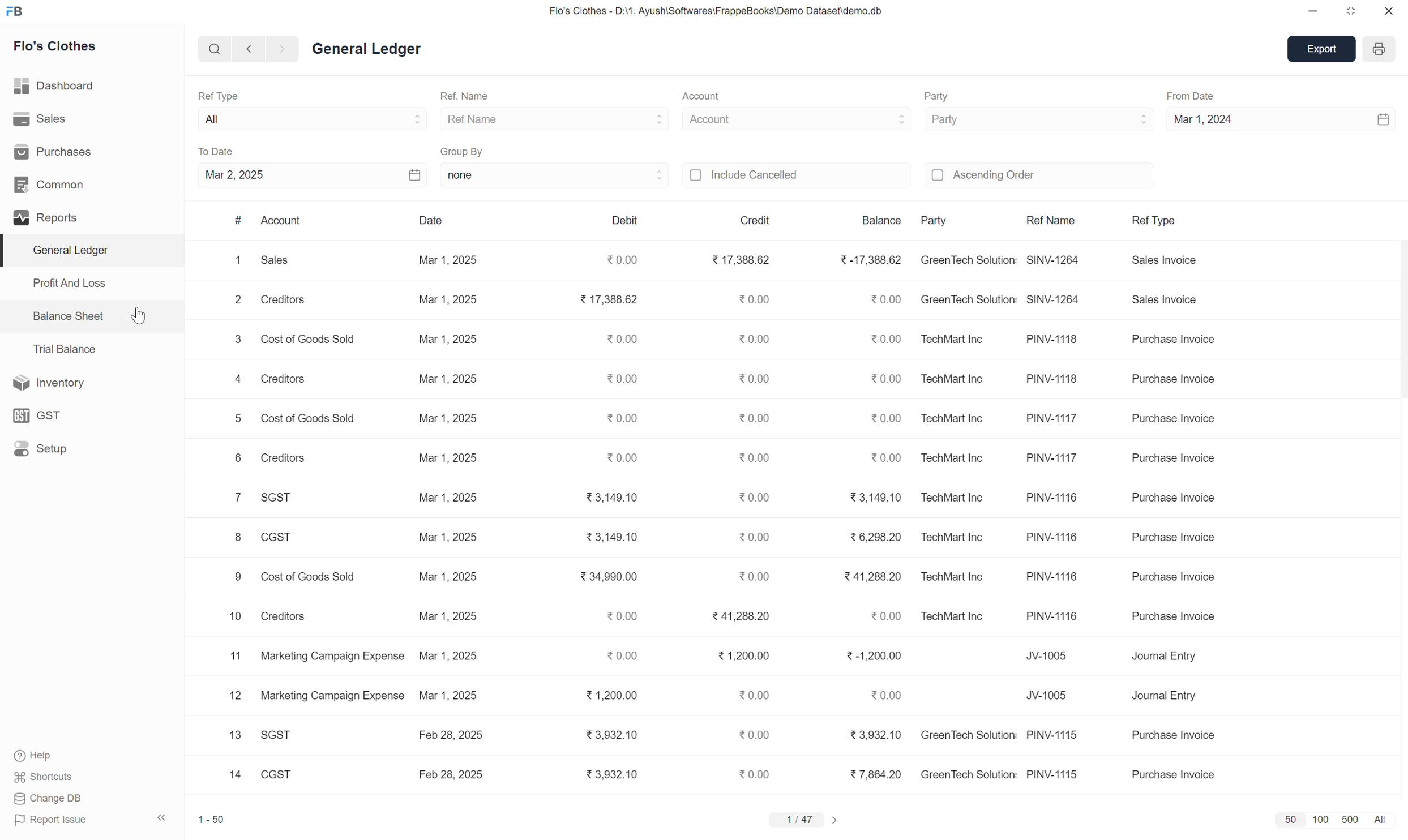 This screenshot has height=840, width=1408. What do you see at coordinates (233, 774) in the screenshot?
I see `14` at bounding box center [233, 774].